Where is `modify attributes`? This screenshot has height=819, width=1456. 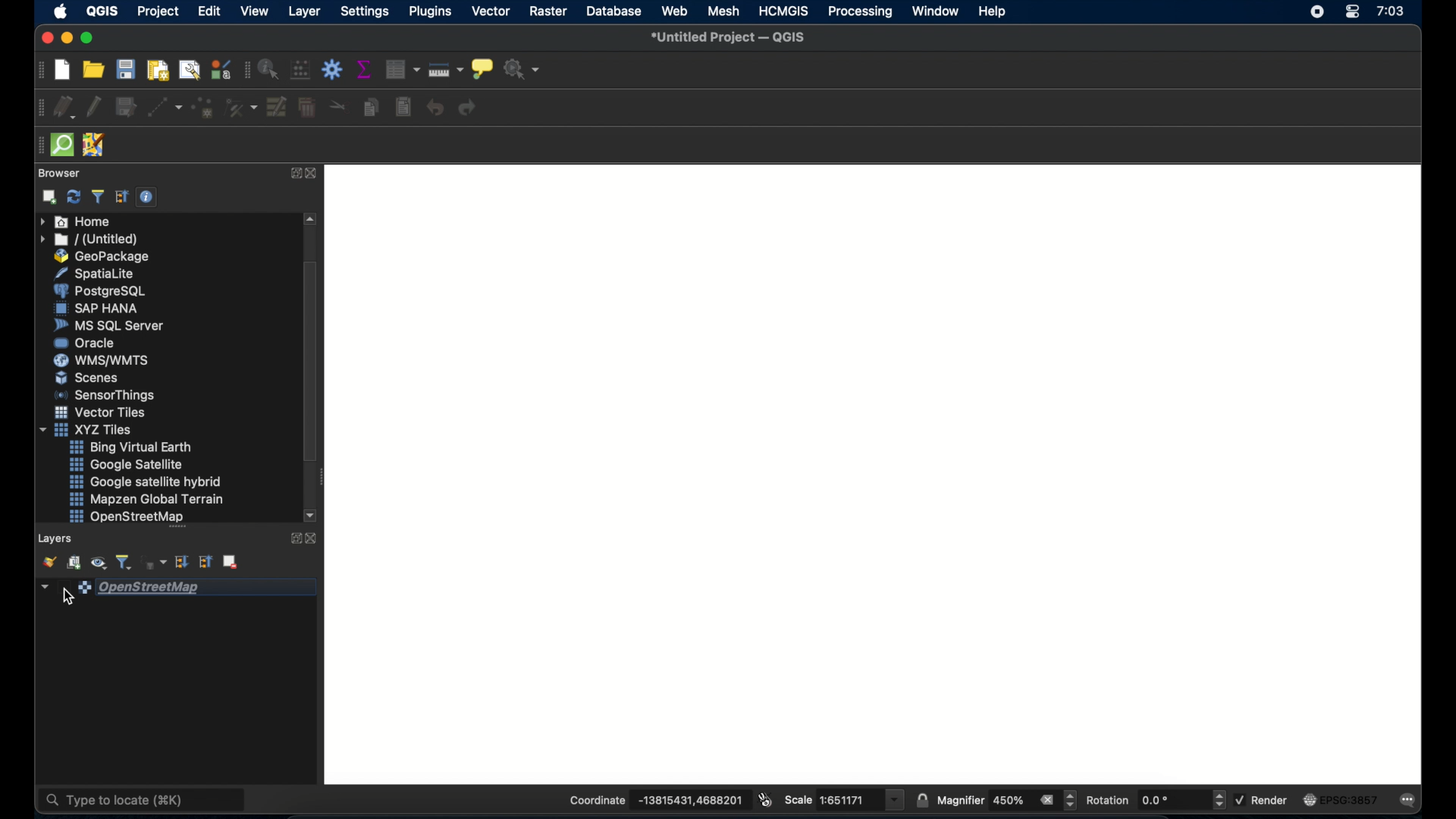 modify attributes is located at coordinates (278, 108).